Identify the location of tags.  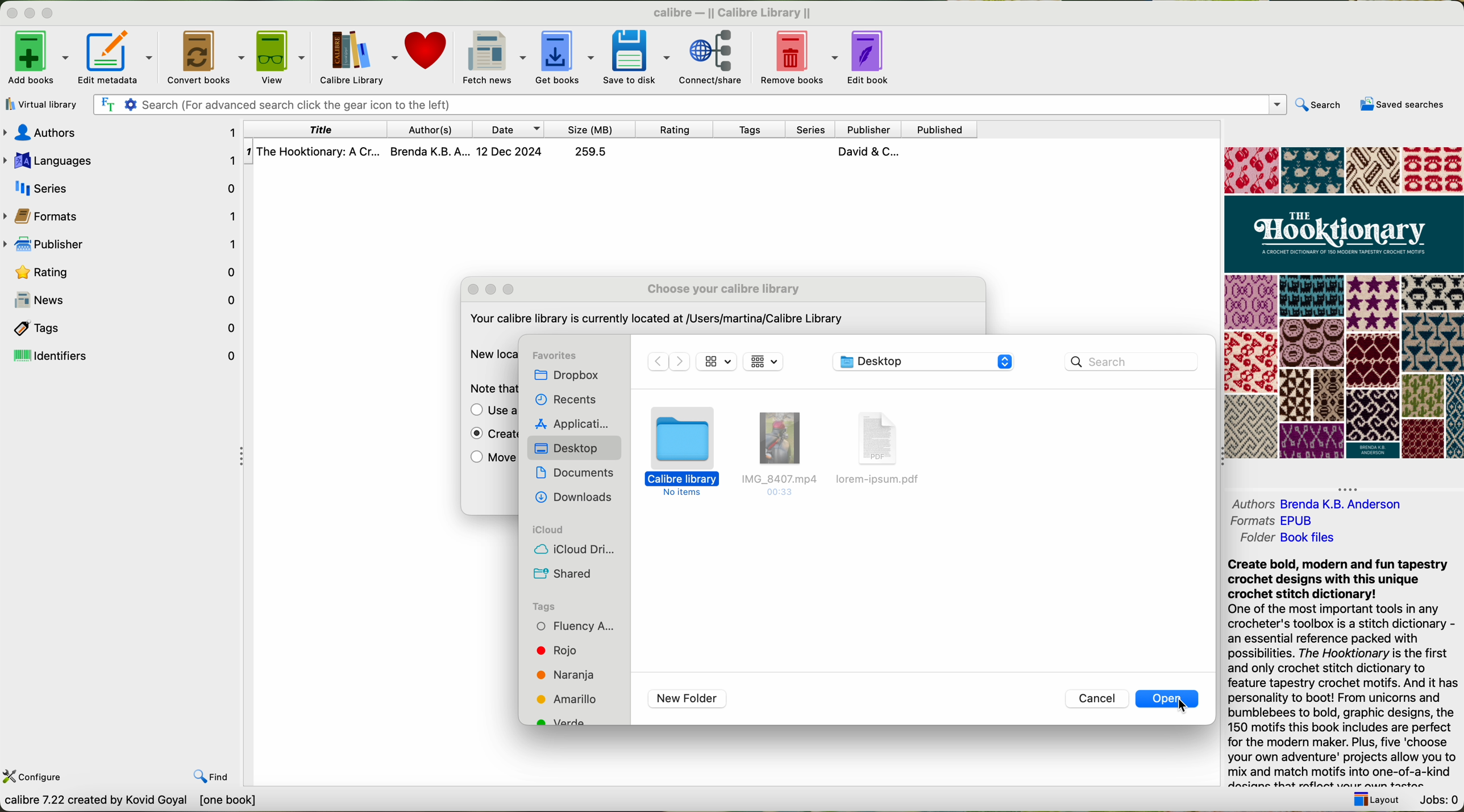
(120, 329).